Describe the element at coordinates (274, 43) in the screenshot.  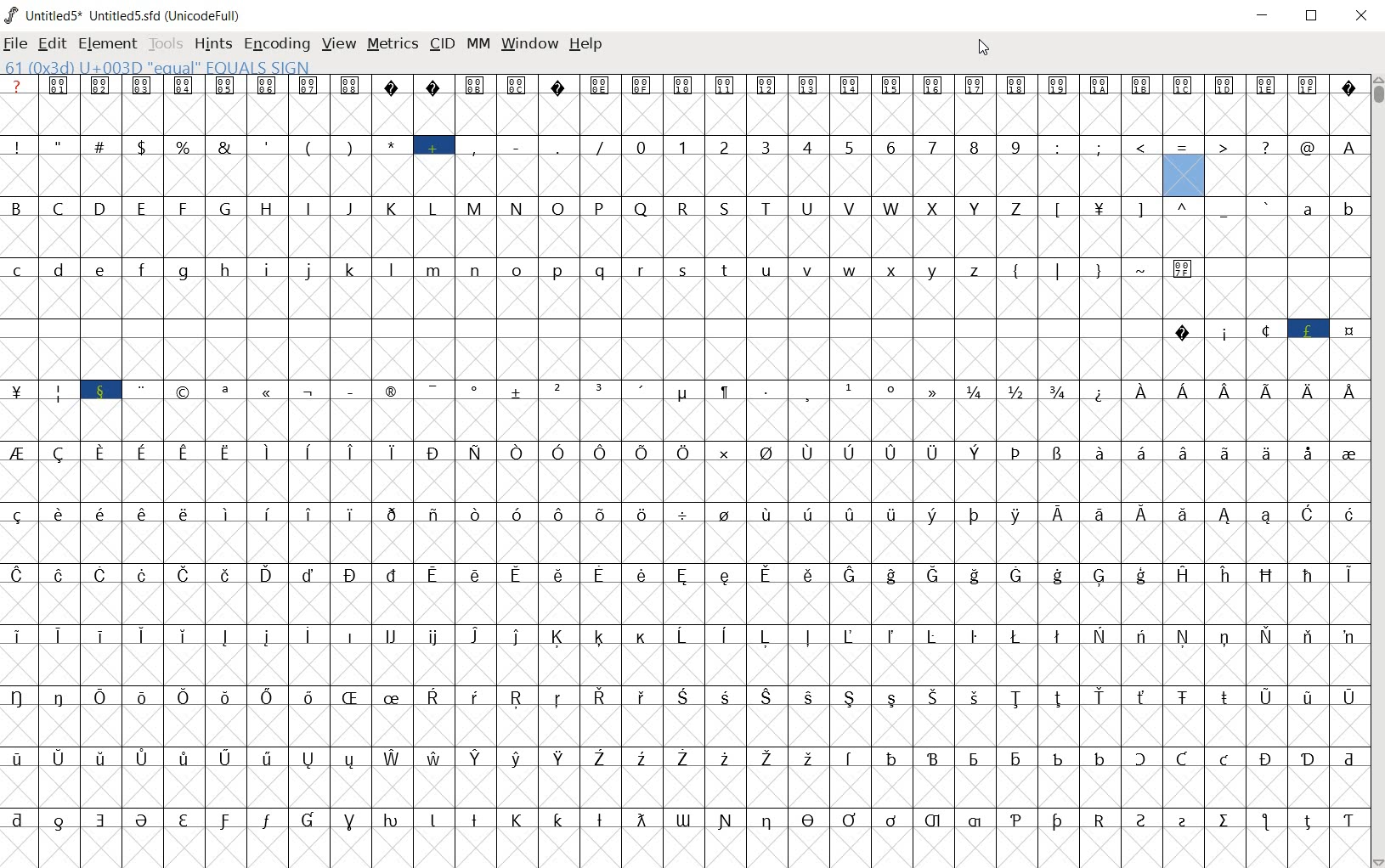
I see `encoding` at that location.